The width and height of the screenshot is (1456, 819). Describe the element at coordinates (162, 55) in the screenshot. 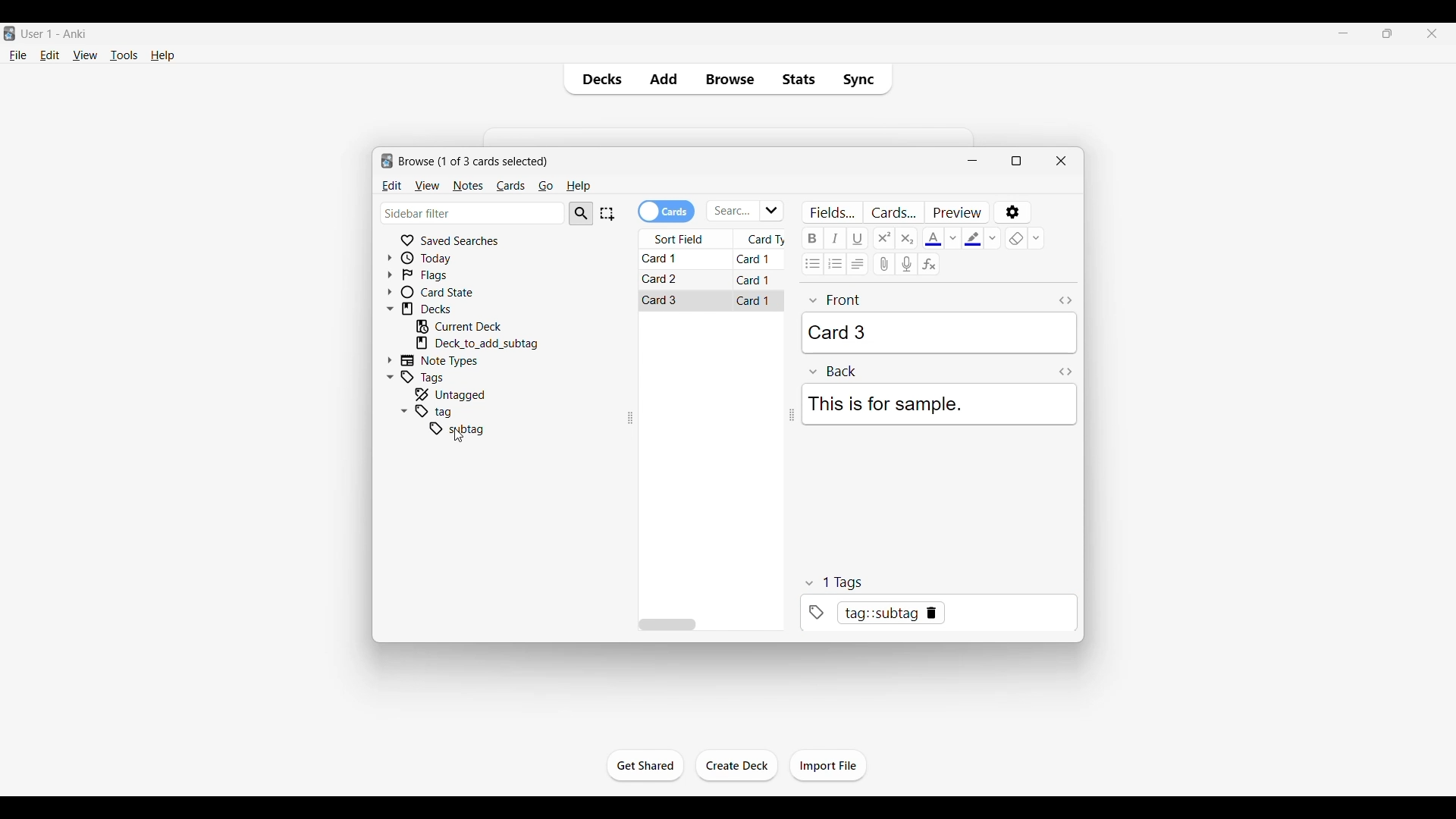

I see `Help menu` at that location.